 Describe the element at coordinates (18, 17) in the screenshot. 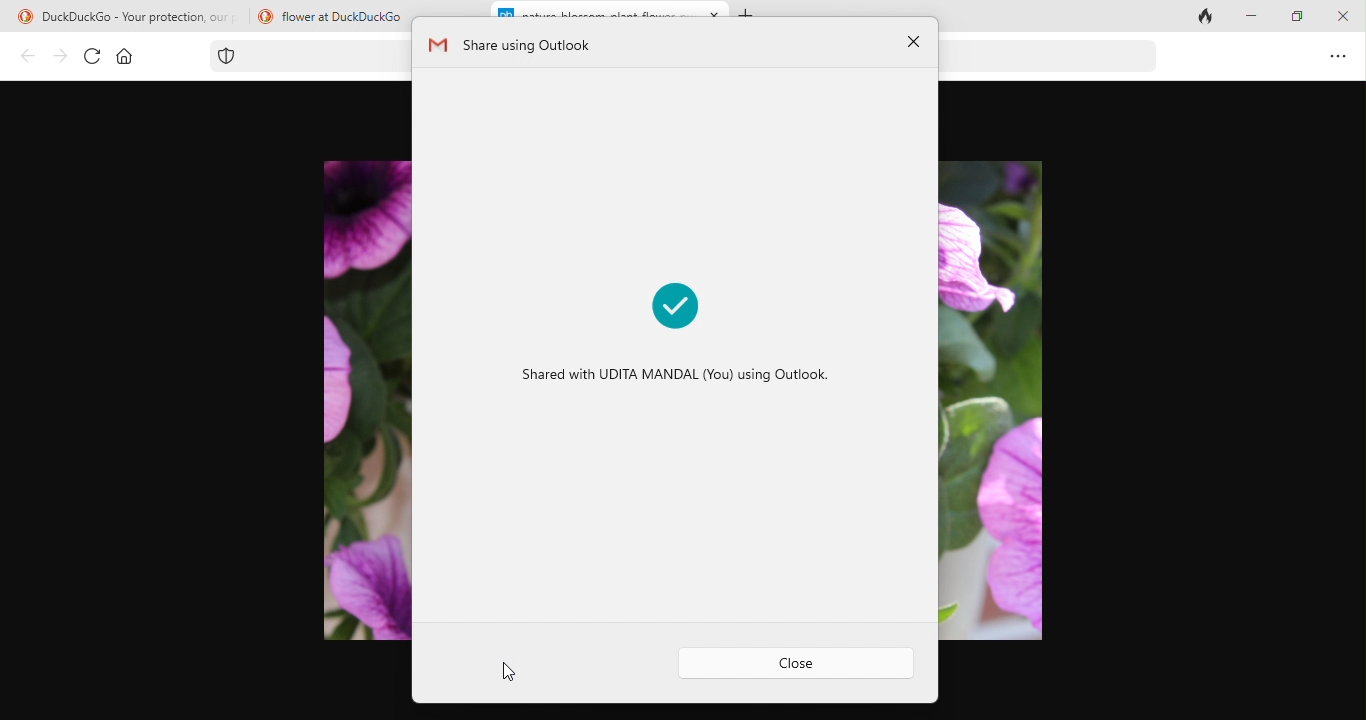

I see `duckduck go logo` at that location.